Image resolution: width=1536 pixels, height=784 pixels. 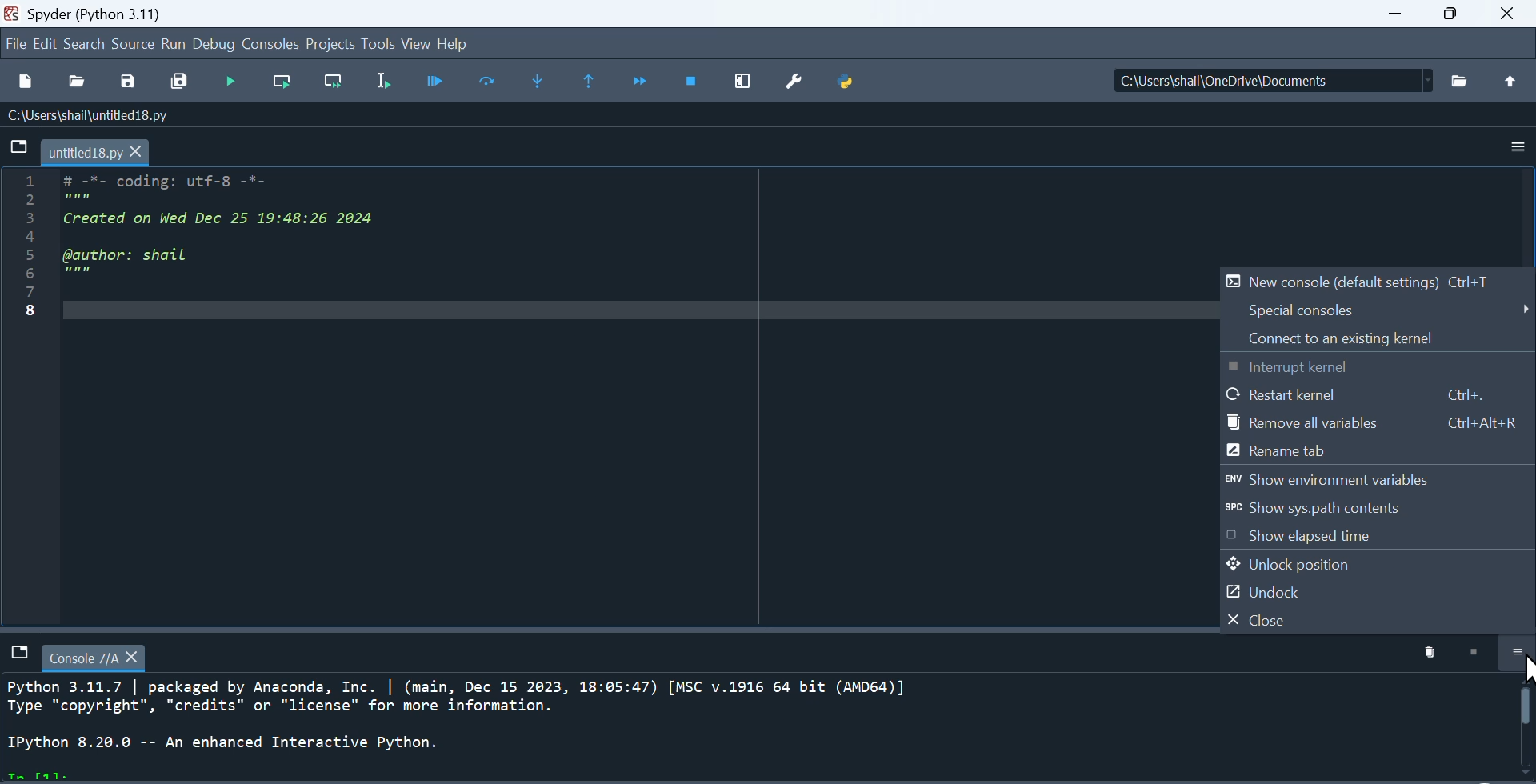 What do you see at coordinates (1463, 78) in the screenshot?
I see `open directory` at bounding box center [1463, 78].